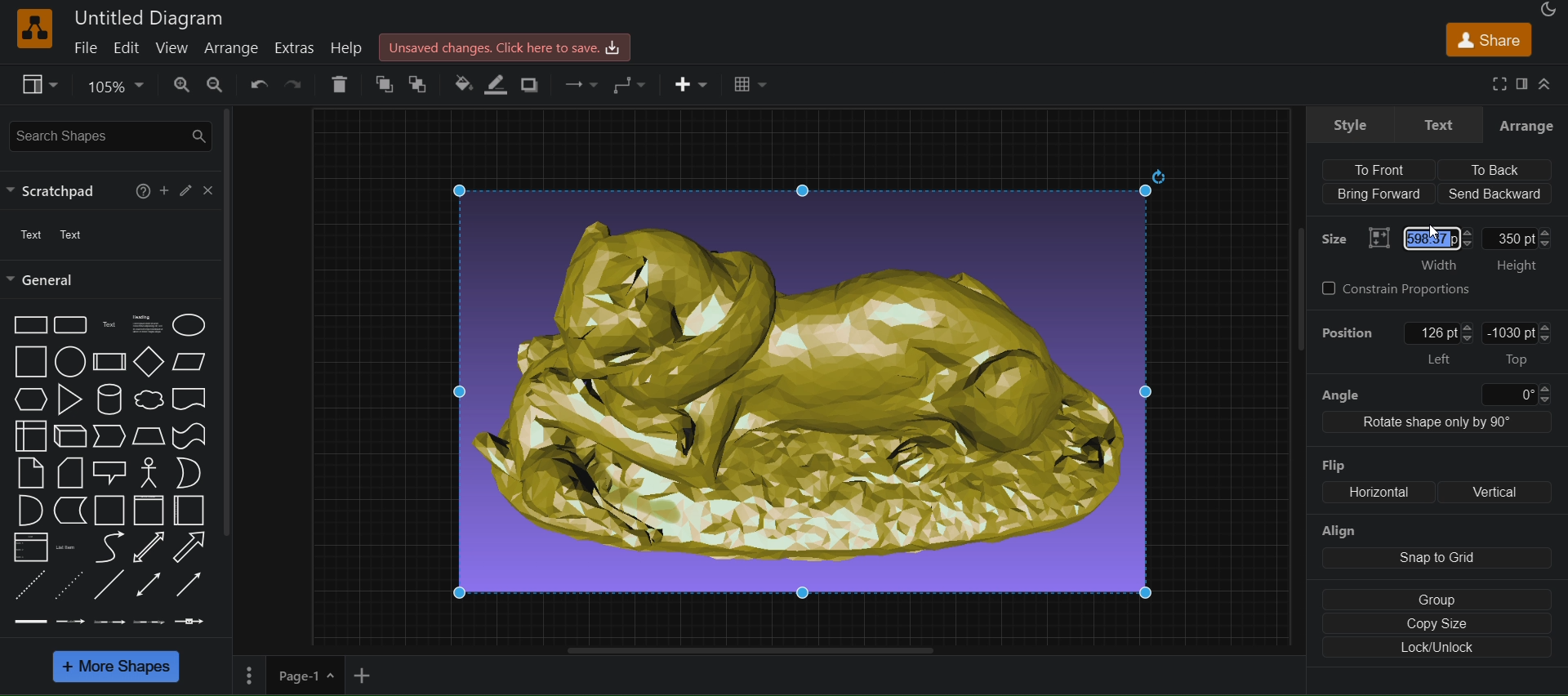 This screenshot has height=696, width=1568. Describe the element at coordinates (33, 29) in the screenshot. I see `logo` at that location.